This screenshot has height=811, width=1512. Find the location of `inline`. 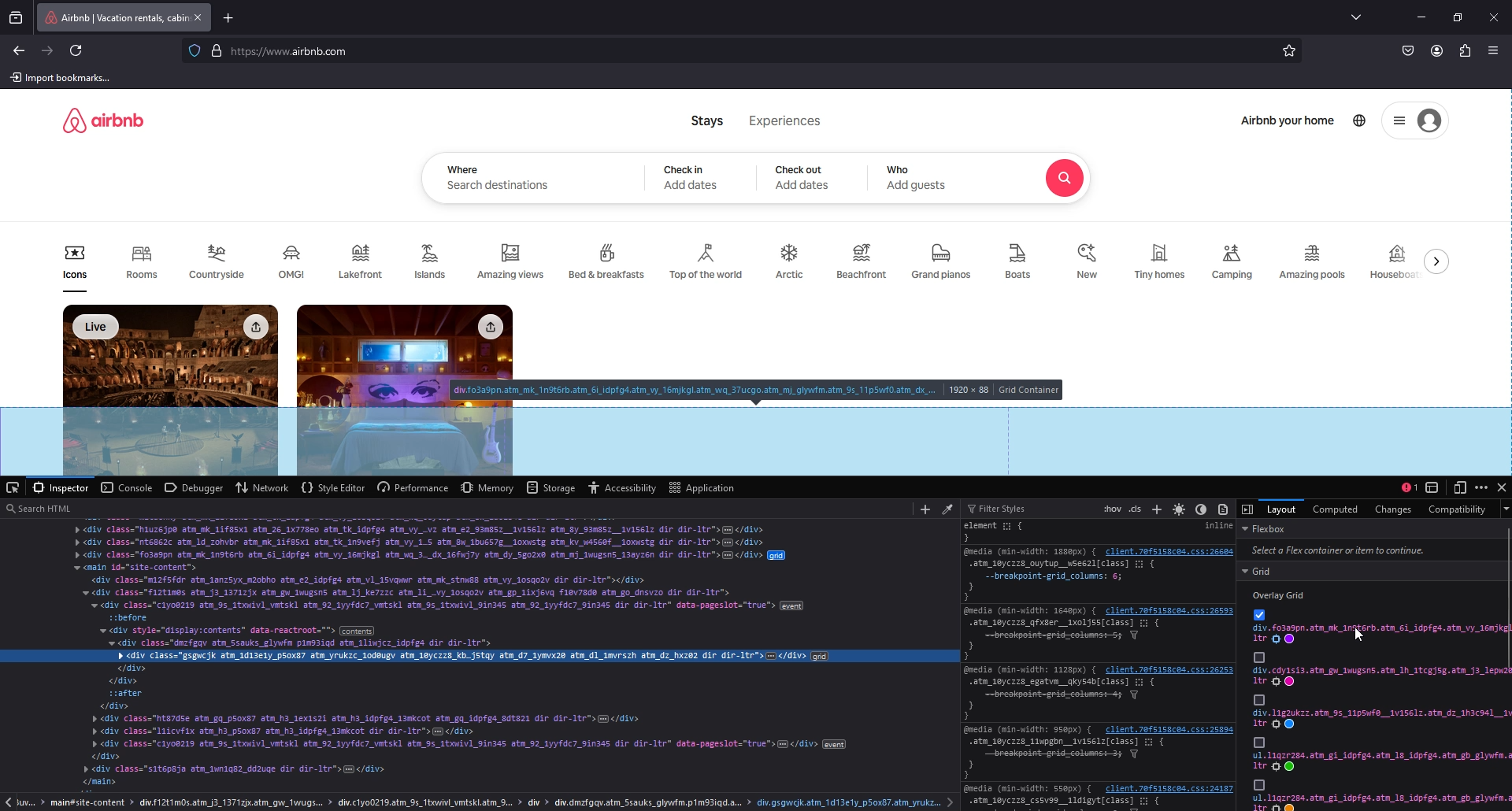

inline is located at coordinates (1217, 526).